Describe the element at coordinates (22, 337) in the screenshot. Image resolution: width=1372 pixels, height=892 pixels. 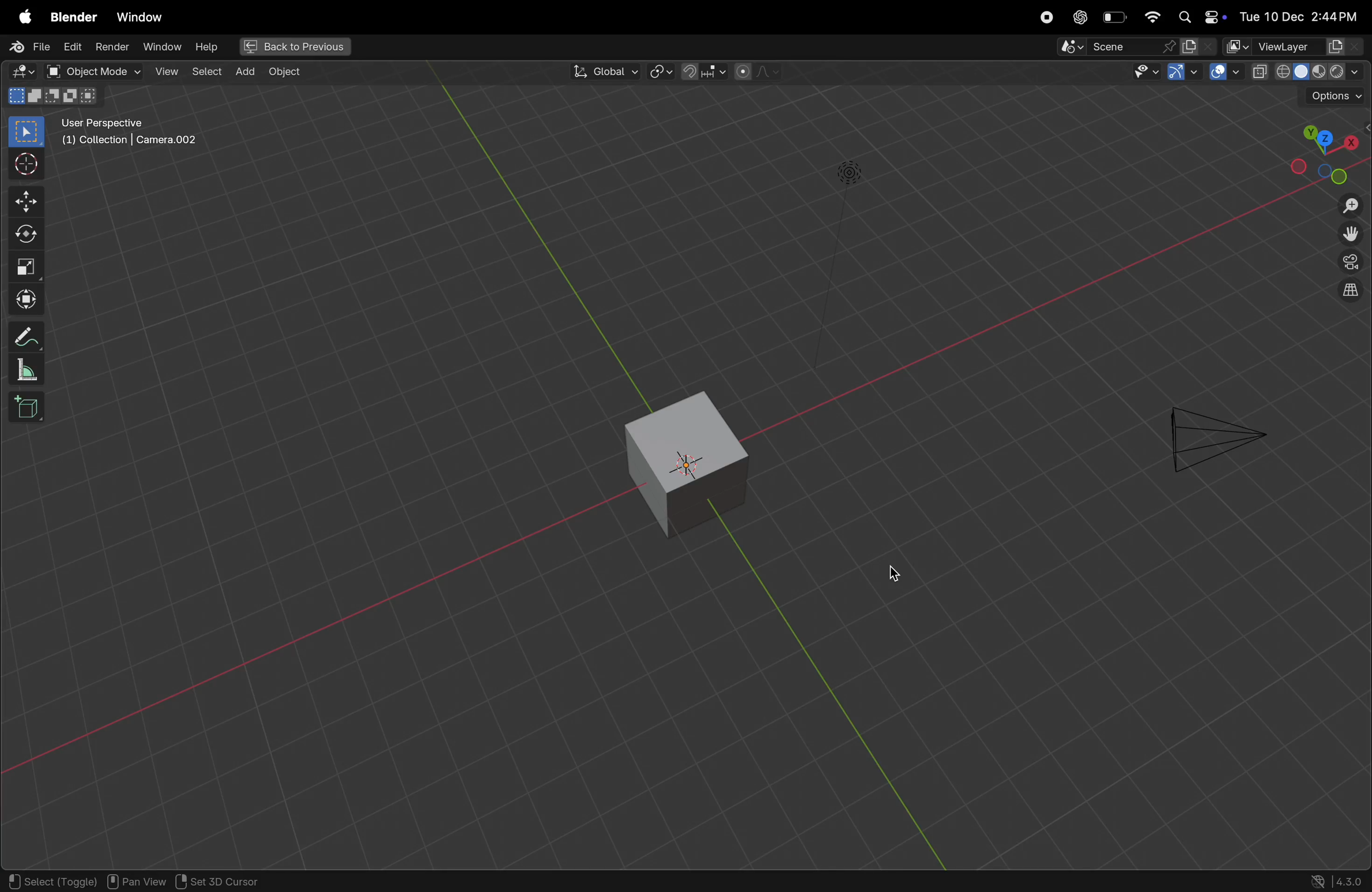
I see `pencil` at that location.